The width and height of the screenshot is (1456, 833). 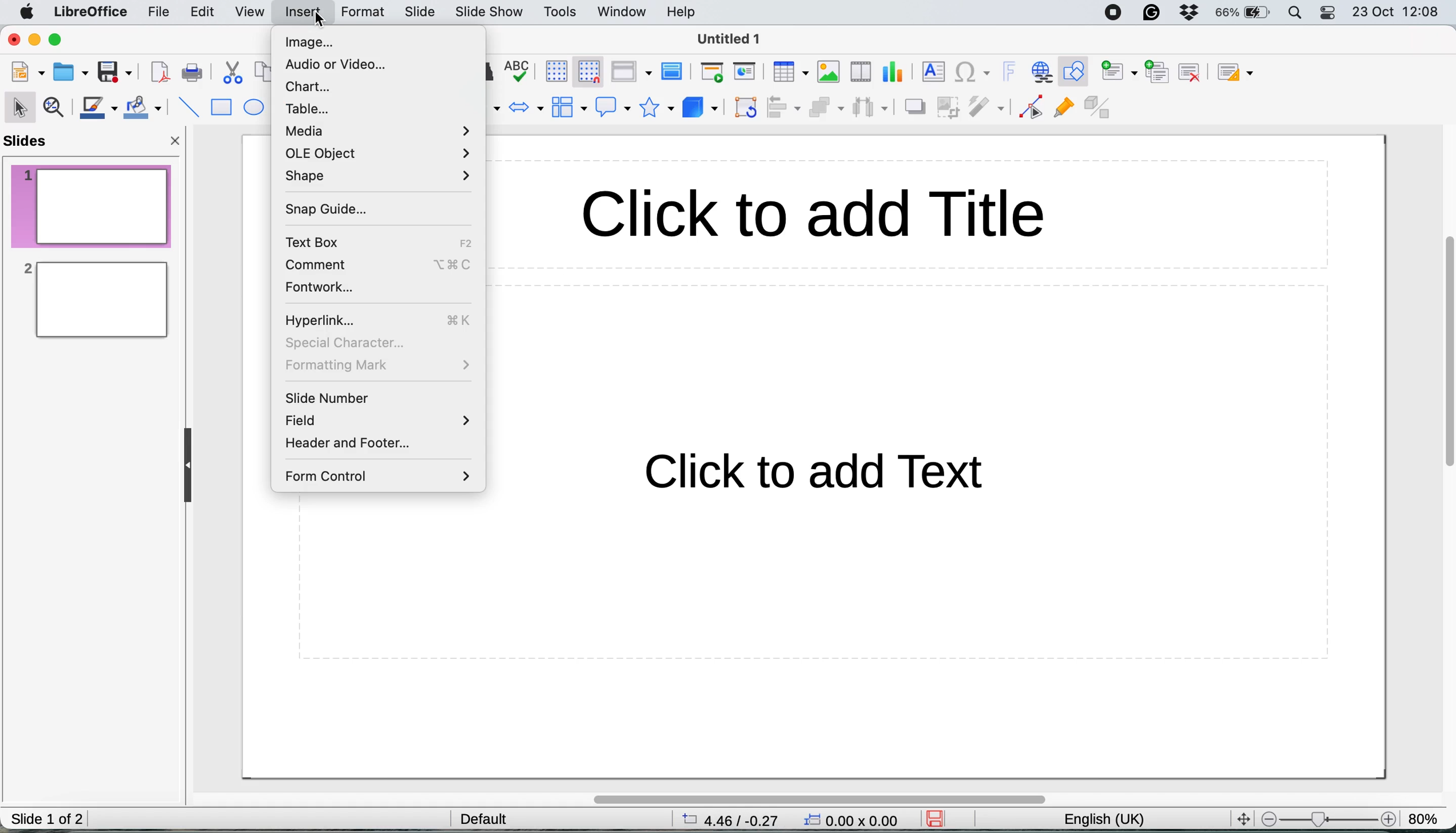 What do you see at coordinates (29, 13) in the screenshot?
I see `system logo` at bounding box center [29, 13].